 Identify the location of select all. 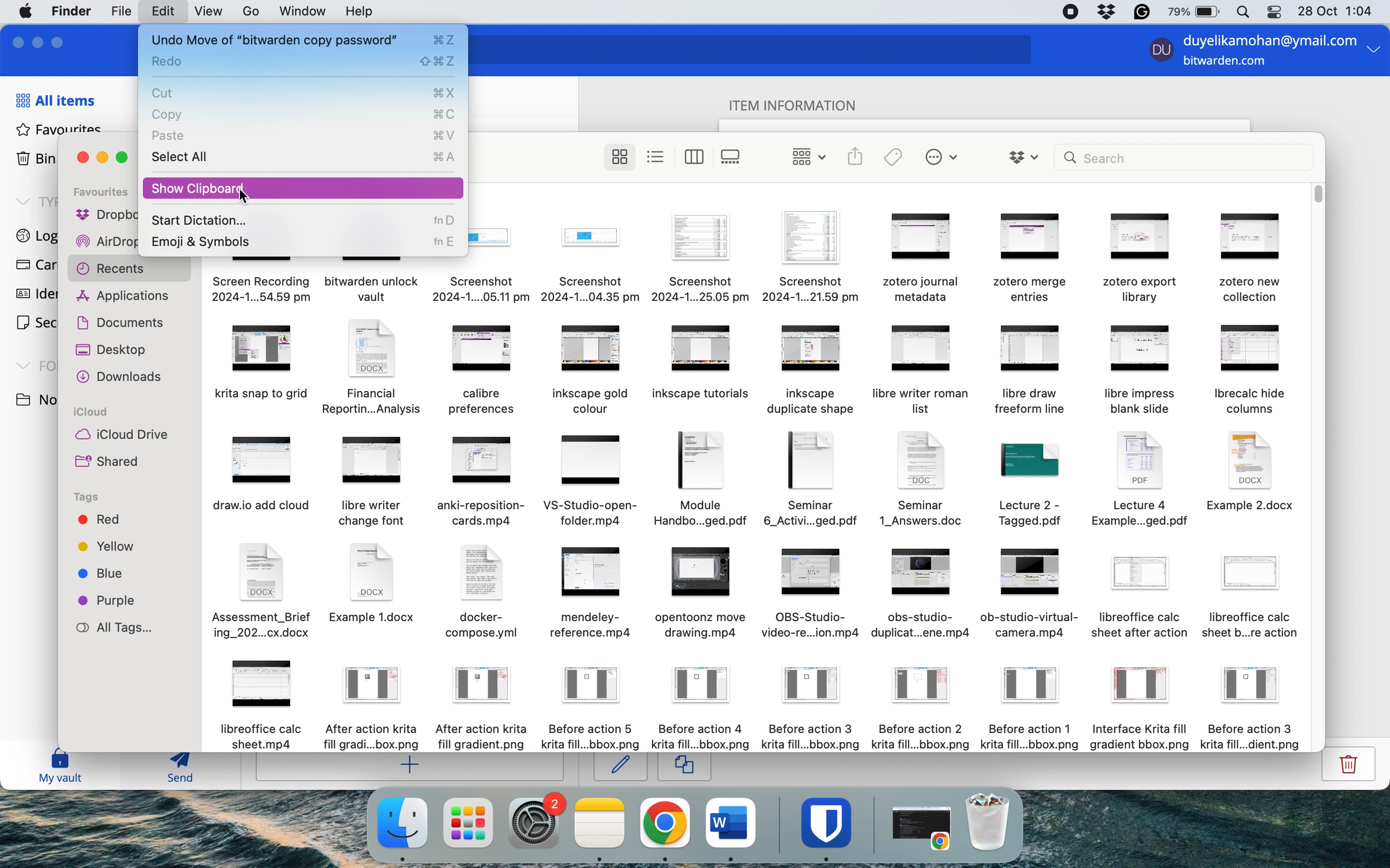
(304, 161).